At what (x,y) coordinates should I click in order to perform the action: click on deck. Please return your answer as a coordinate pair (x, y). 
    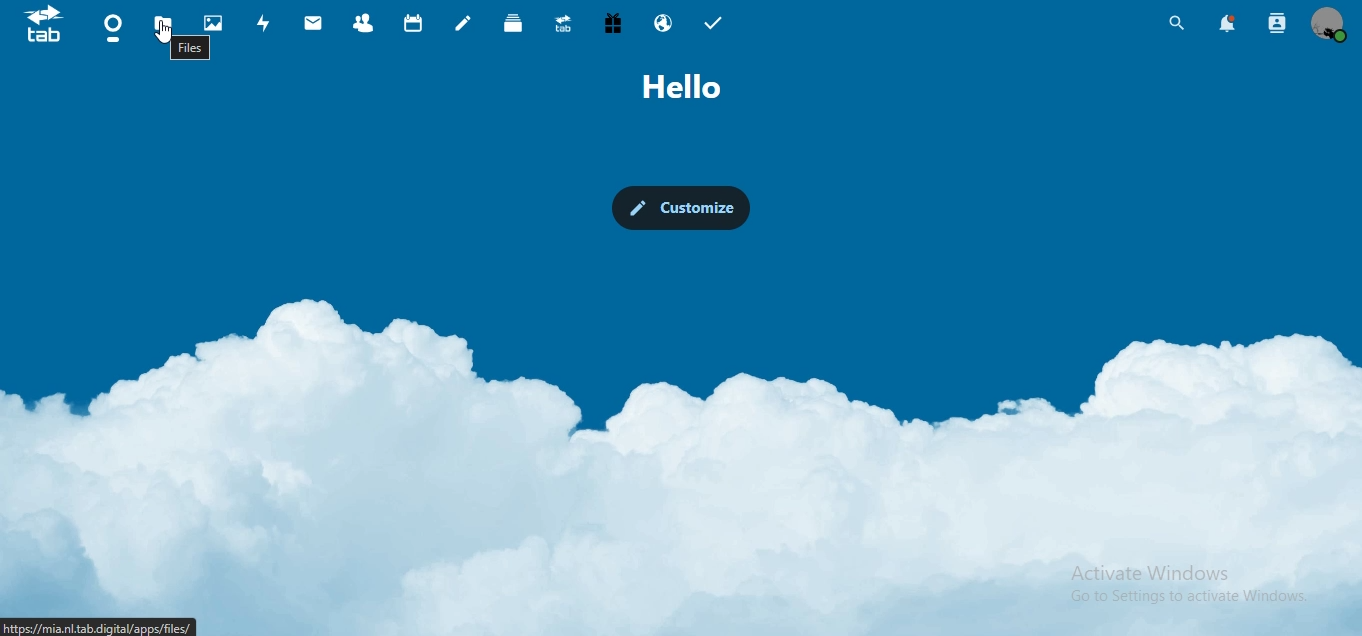
    Looking at the image, I should click on (513, 22).